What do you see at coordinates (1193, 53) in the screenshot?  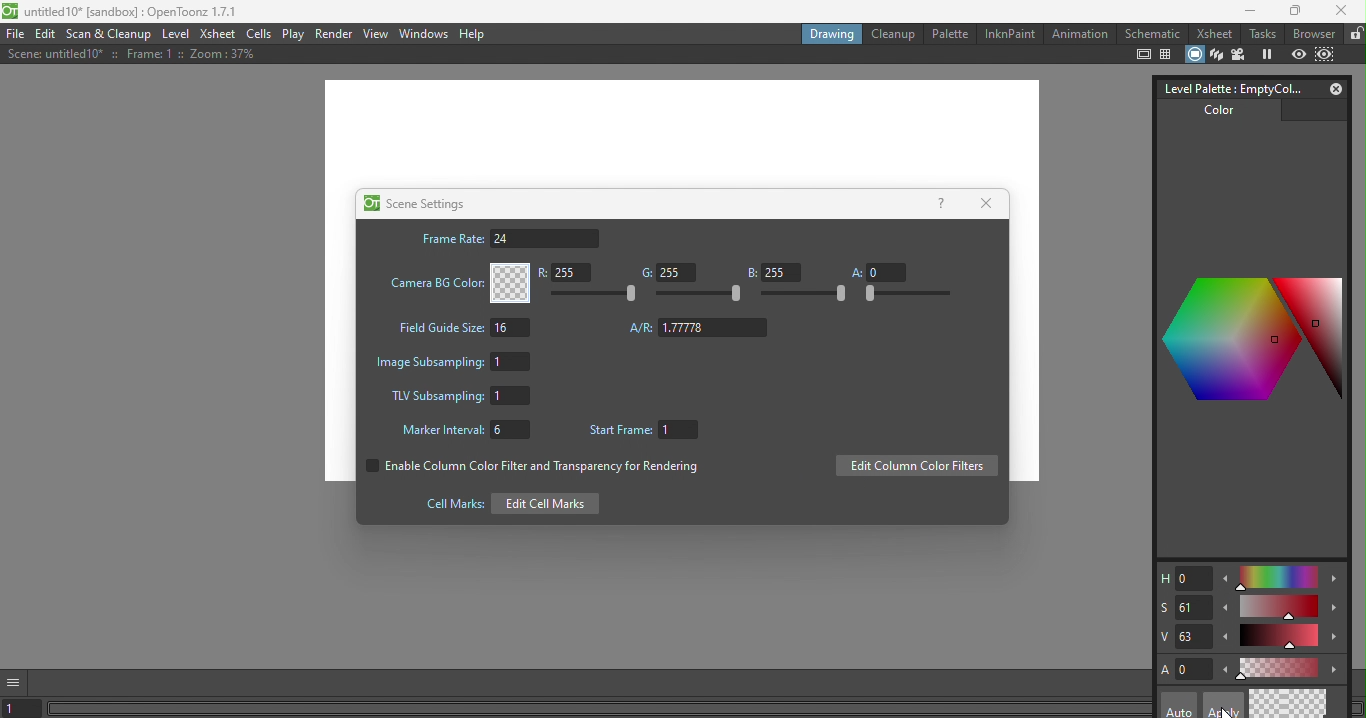 I see `Camera stand view` at bounding box center [1193, 53].